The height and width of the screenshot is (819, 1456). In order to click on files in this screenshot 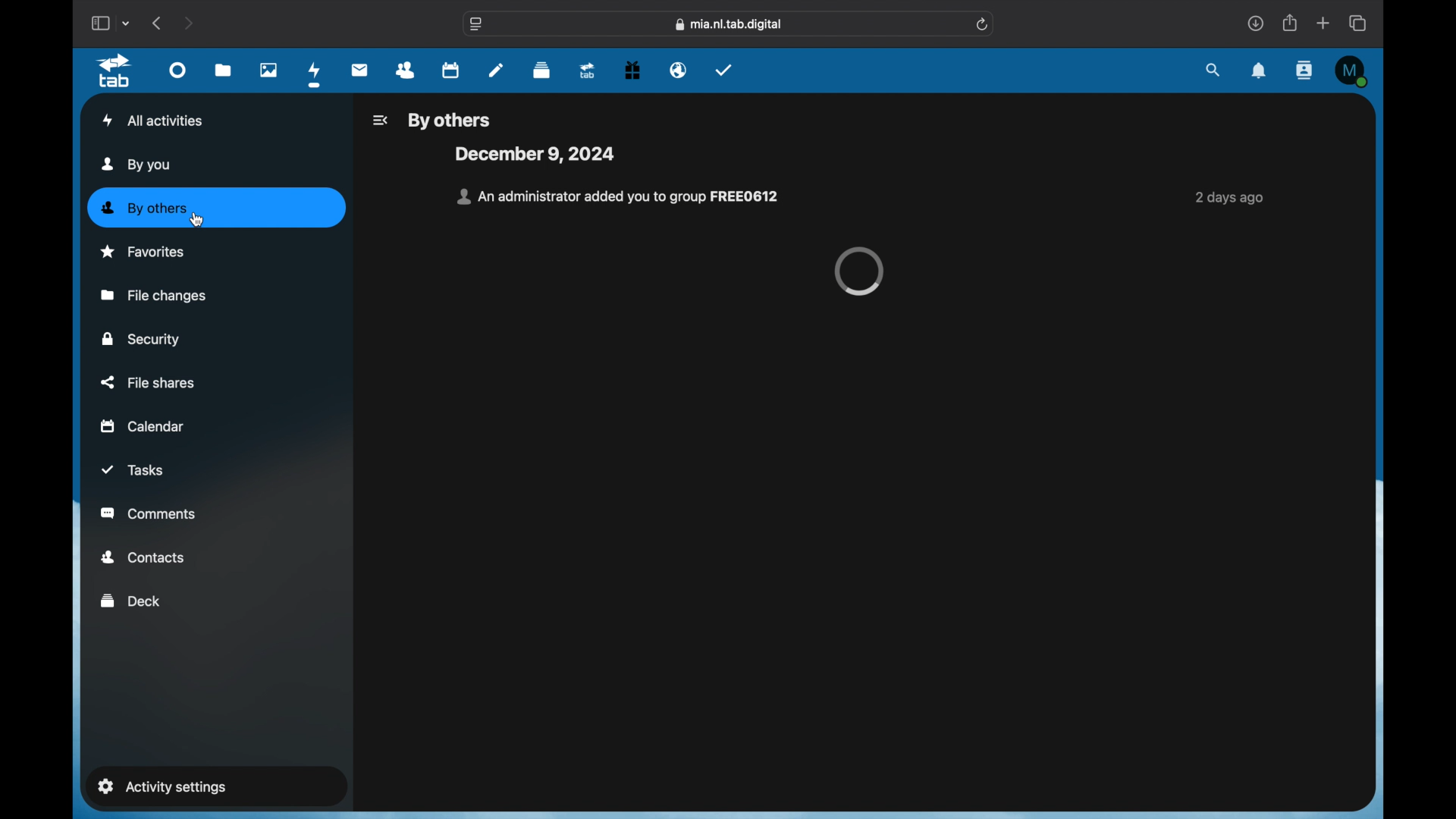, I will do `click(224, 70)`.